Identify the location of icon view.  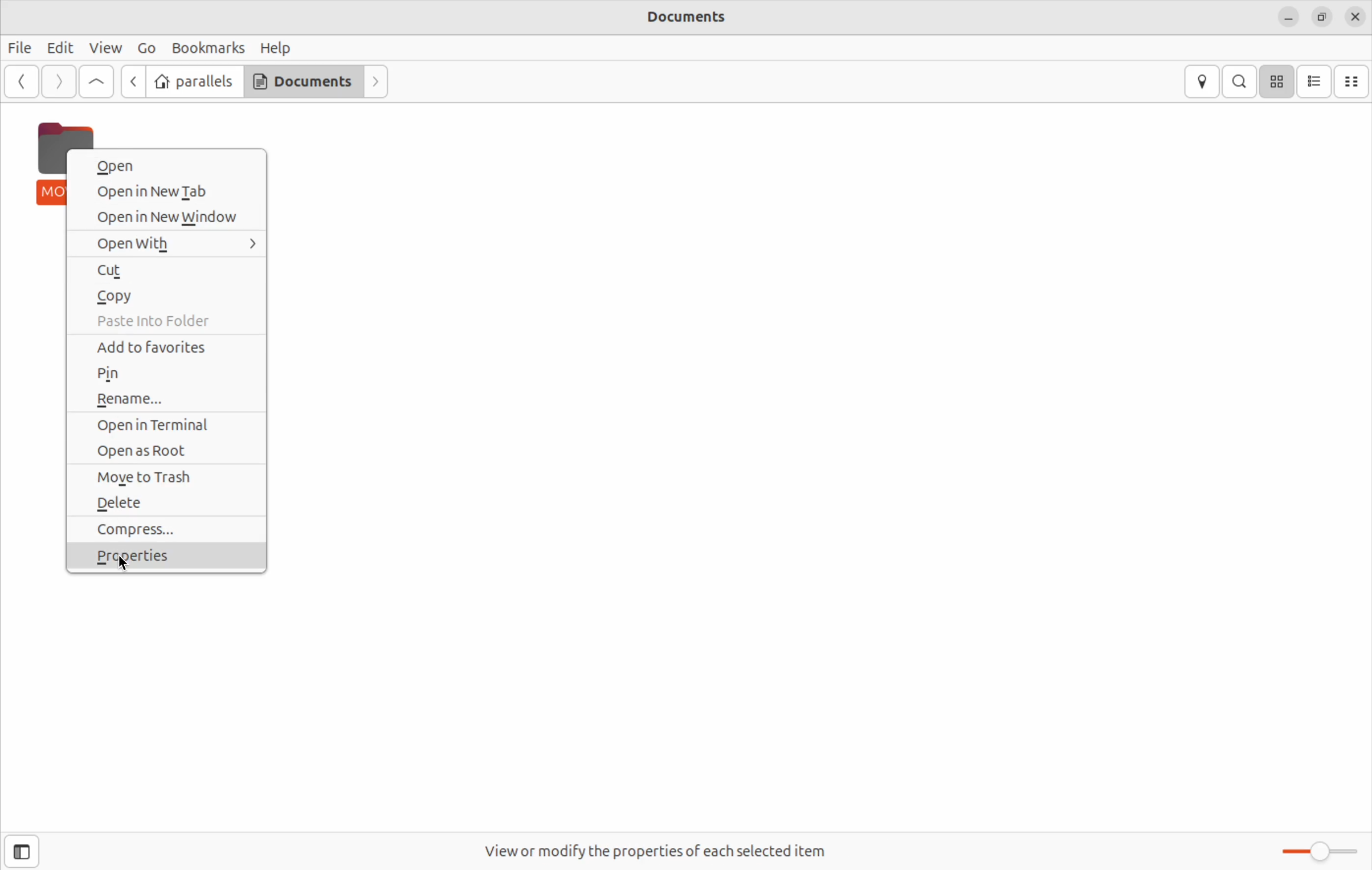
(1277, 80).